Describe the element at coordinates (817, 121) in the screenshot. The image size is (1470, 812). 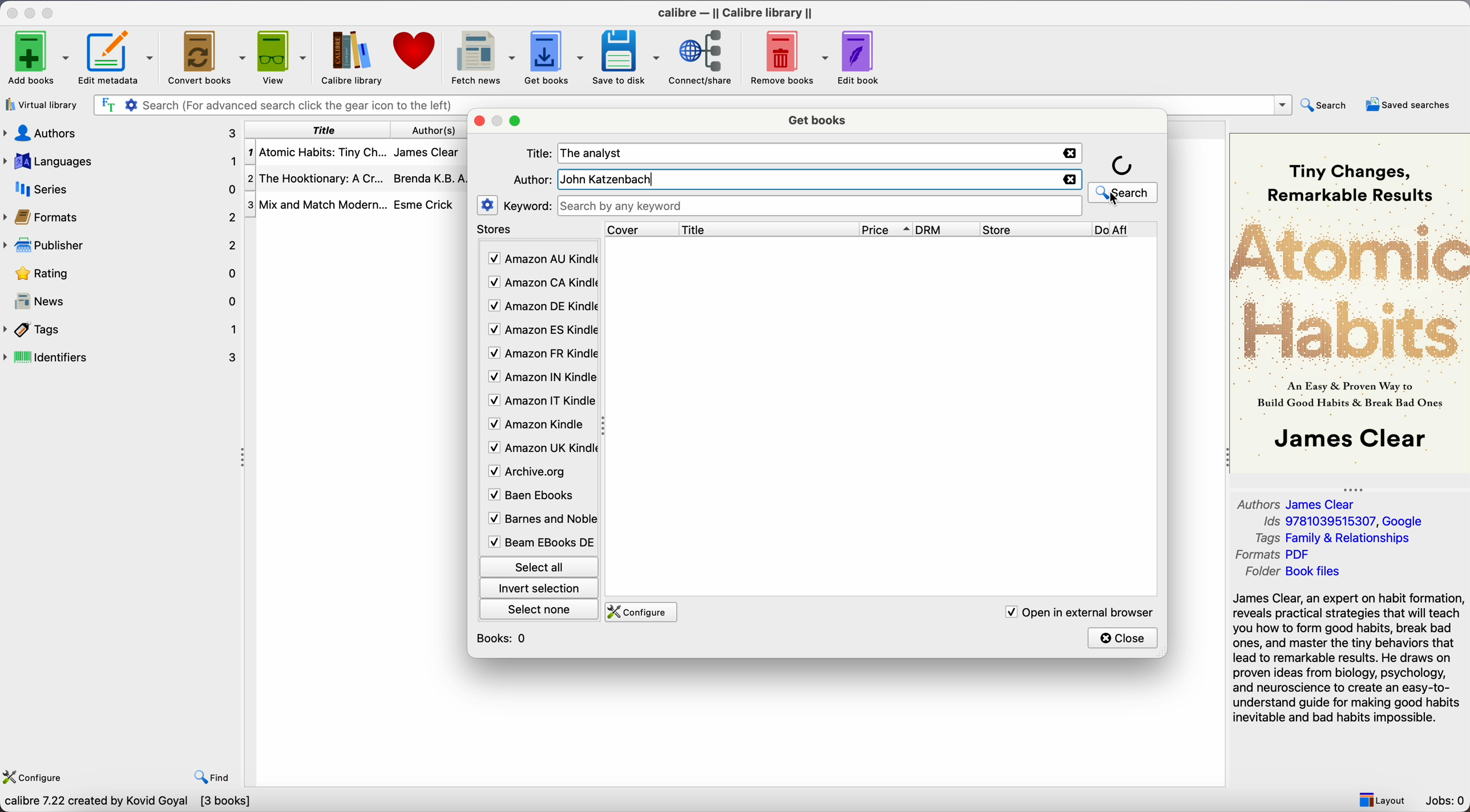
I see `get books` at that location.